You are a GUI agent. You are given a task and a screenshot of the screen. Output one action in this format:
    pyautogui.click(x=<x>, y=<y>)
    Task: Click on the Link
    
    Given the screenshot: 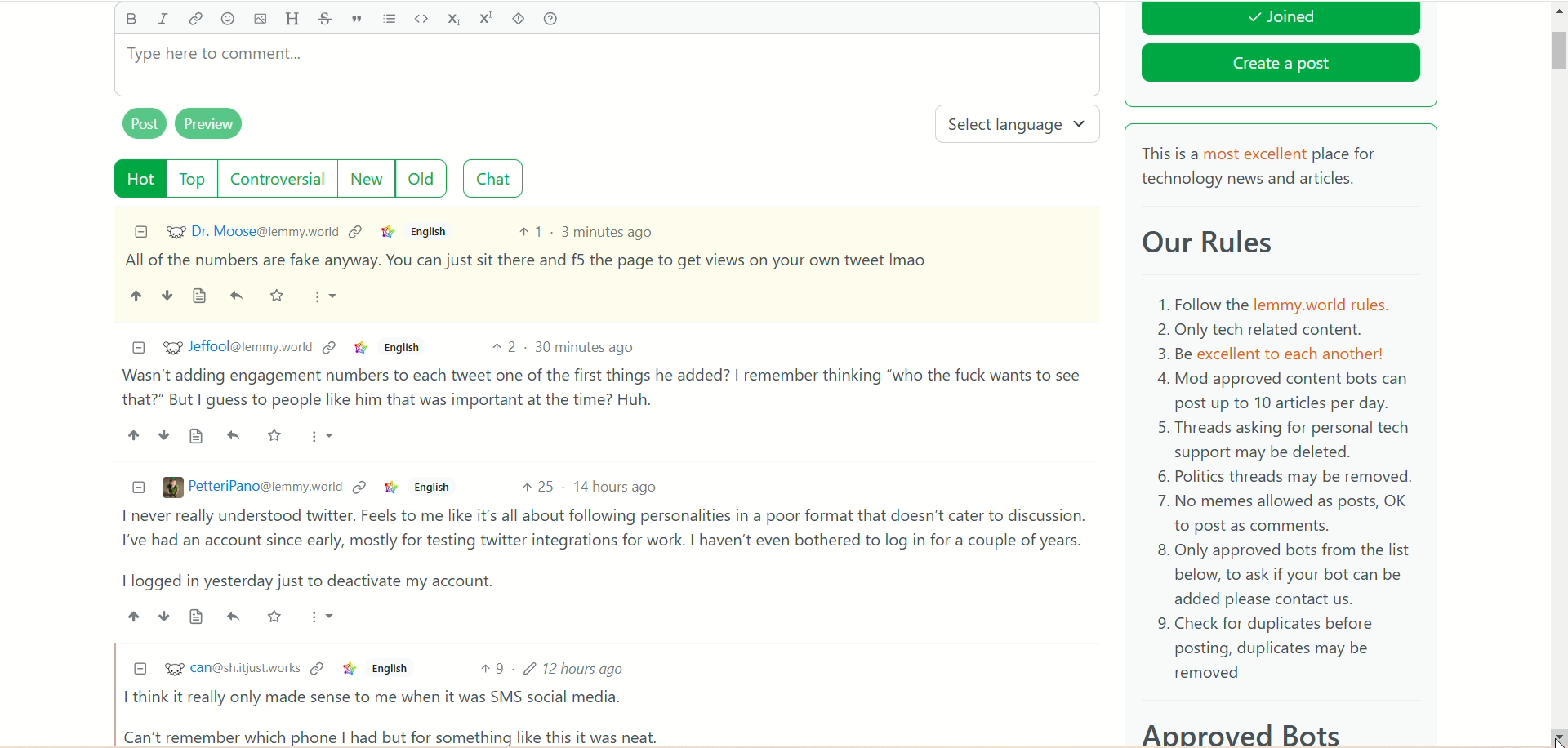 What is the action you would take?
    pyautogui.click(x=389, y=231)
    